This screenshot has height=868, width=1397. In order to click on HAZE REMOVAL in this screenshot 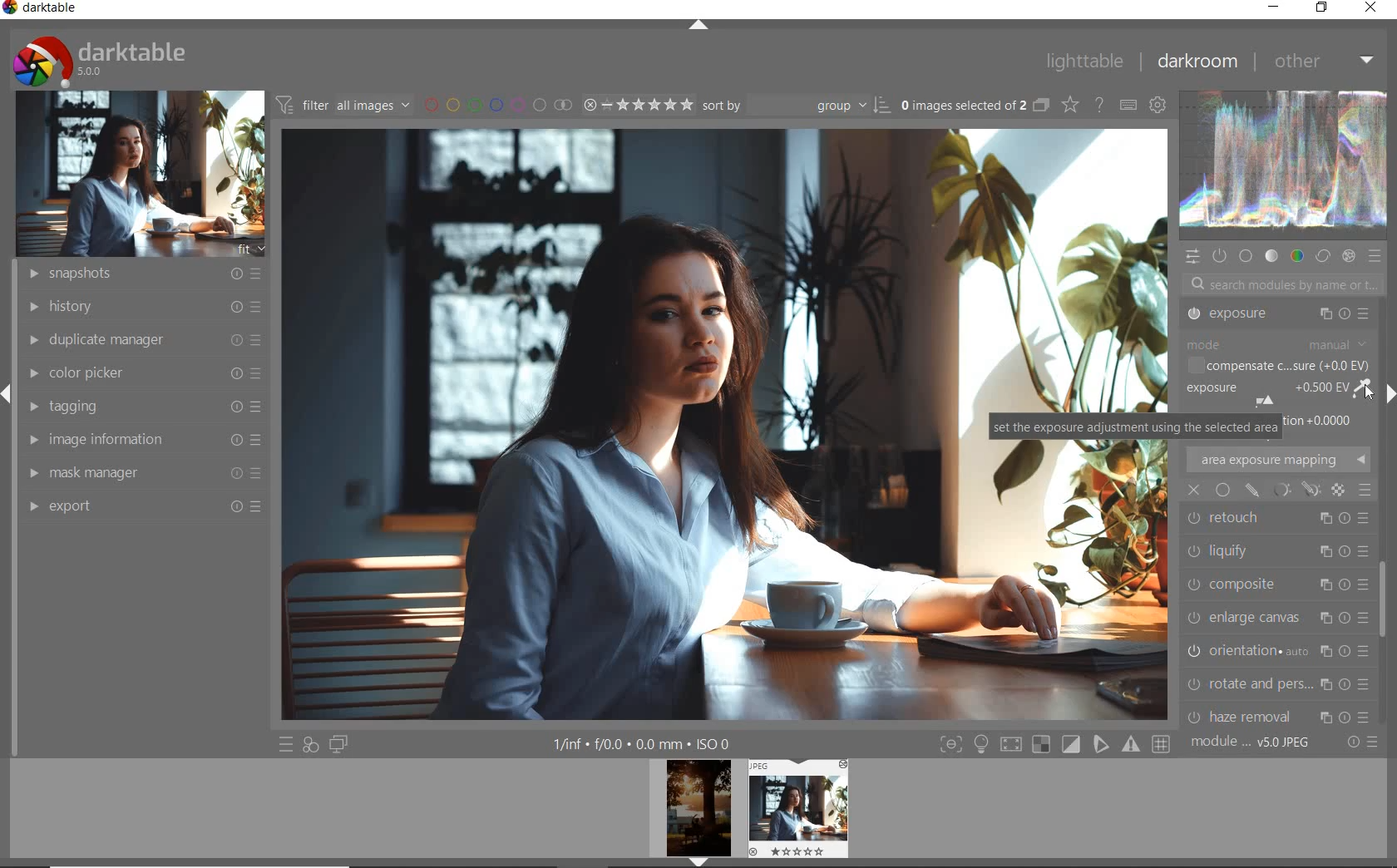, I will do `click(1278, 614)`.